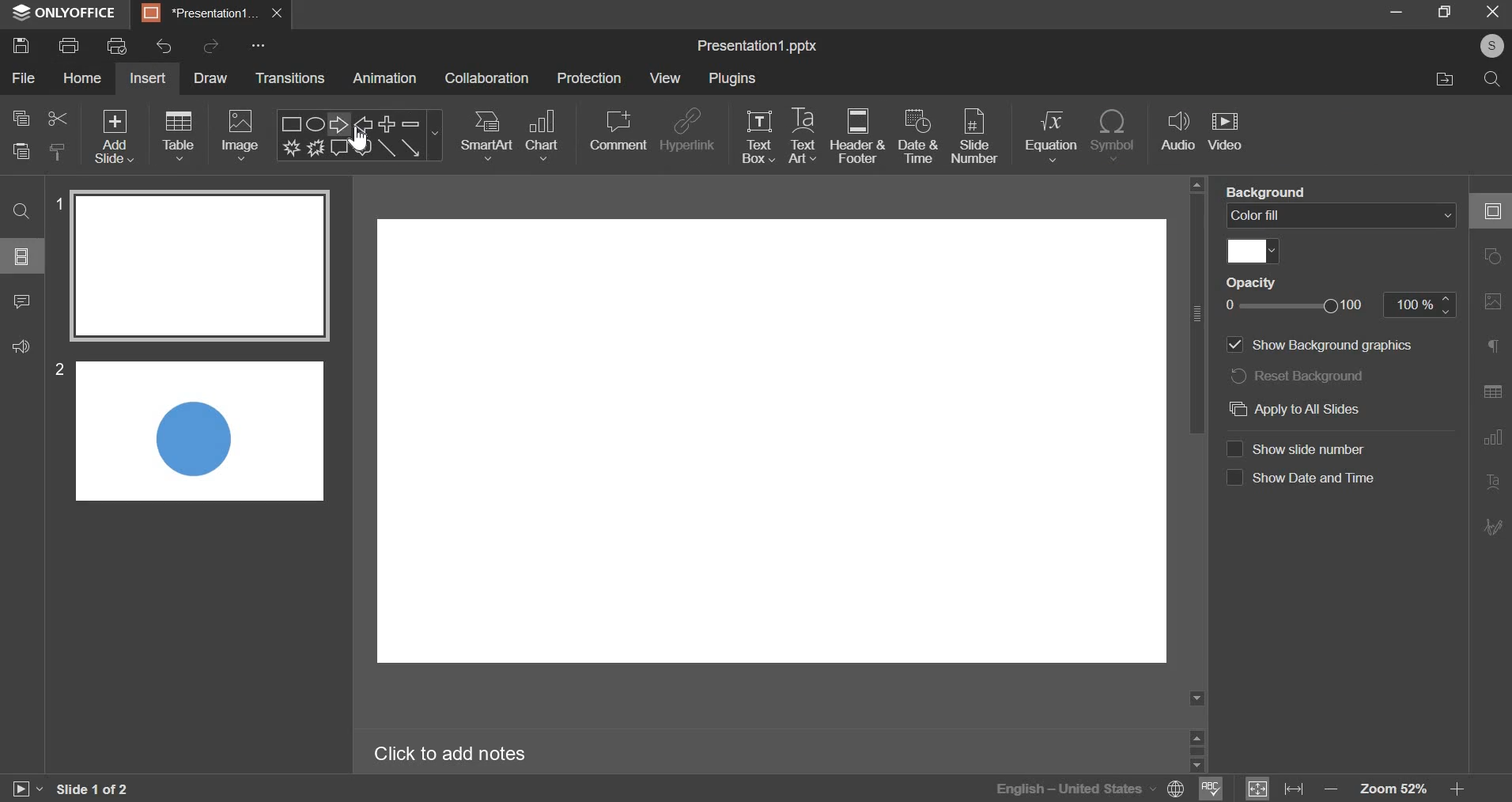 The image size is (1512, 802). Describe the element at coordinates (316, 123) in the screenshot. I see `Ellipse` at that location.